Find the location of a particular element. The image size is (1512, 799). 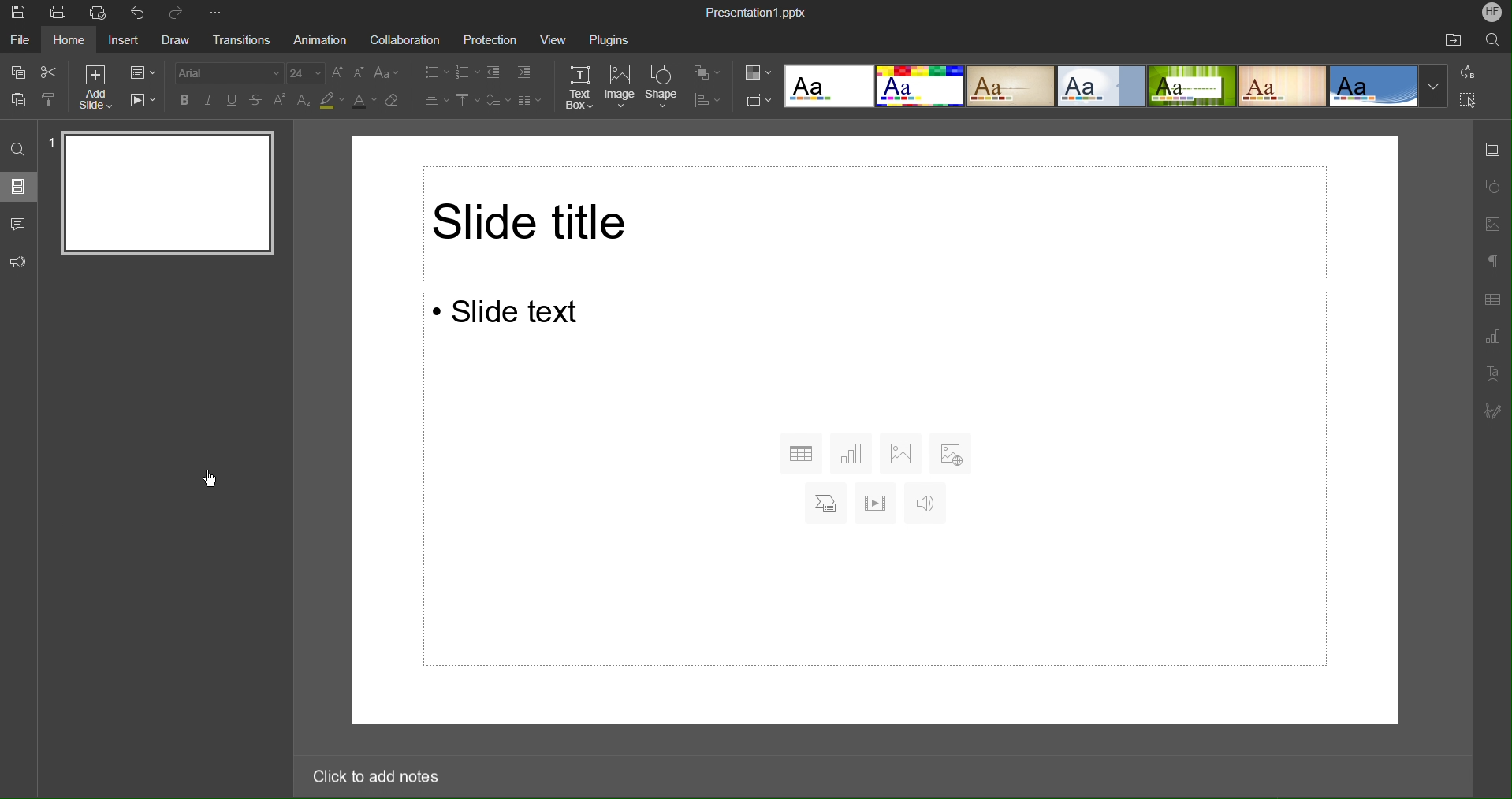

Color is located at coordinates (758, 72).